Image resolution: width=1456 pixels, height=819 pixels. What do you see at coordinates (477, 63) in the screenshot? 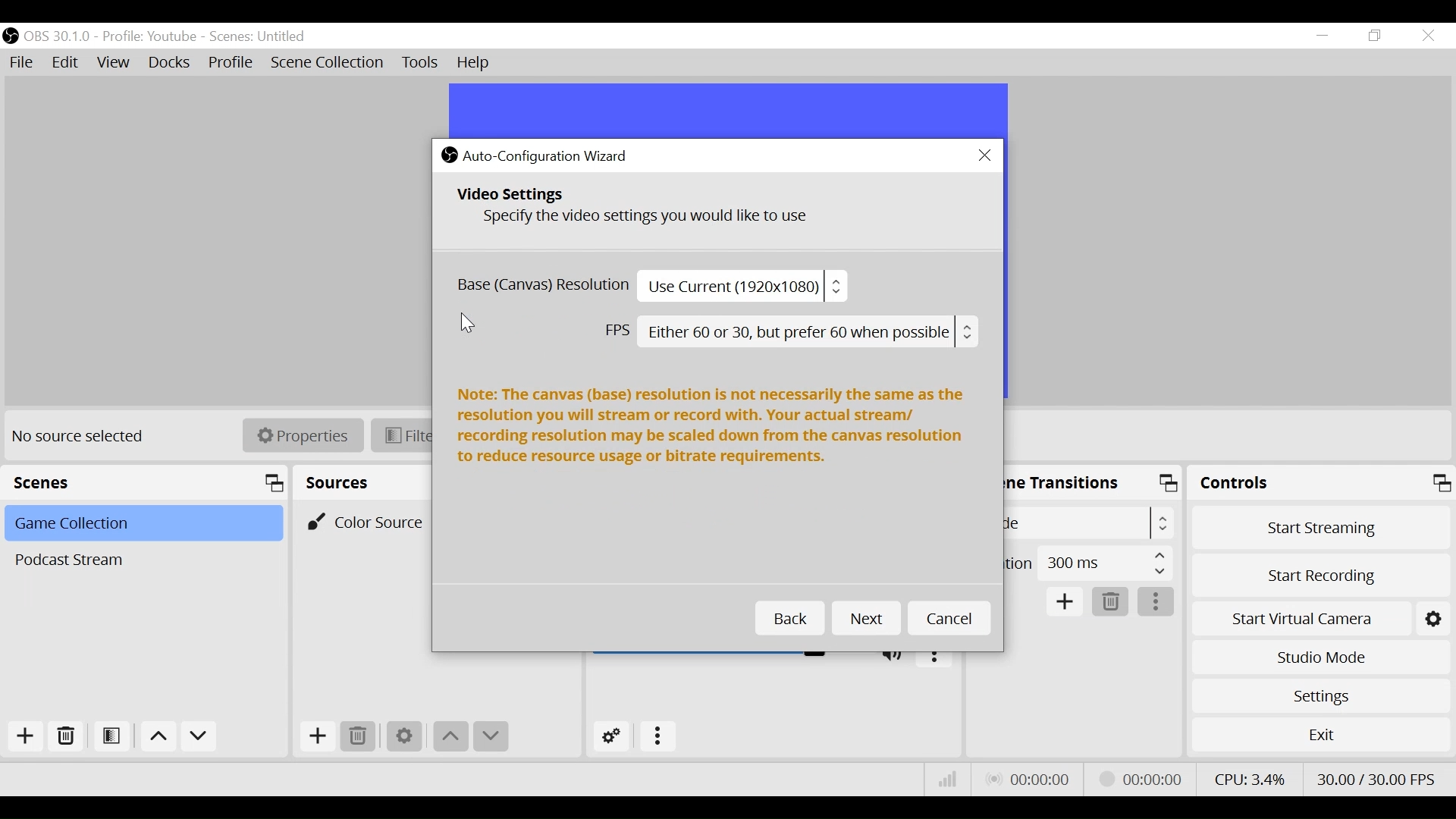
I see `Help` at bounding box center [477, 63].